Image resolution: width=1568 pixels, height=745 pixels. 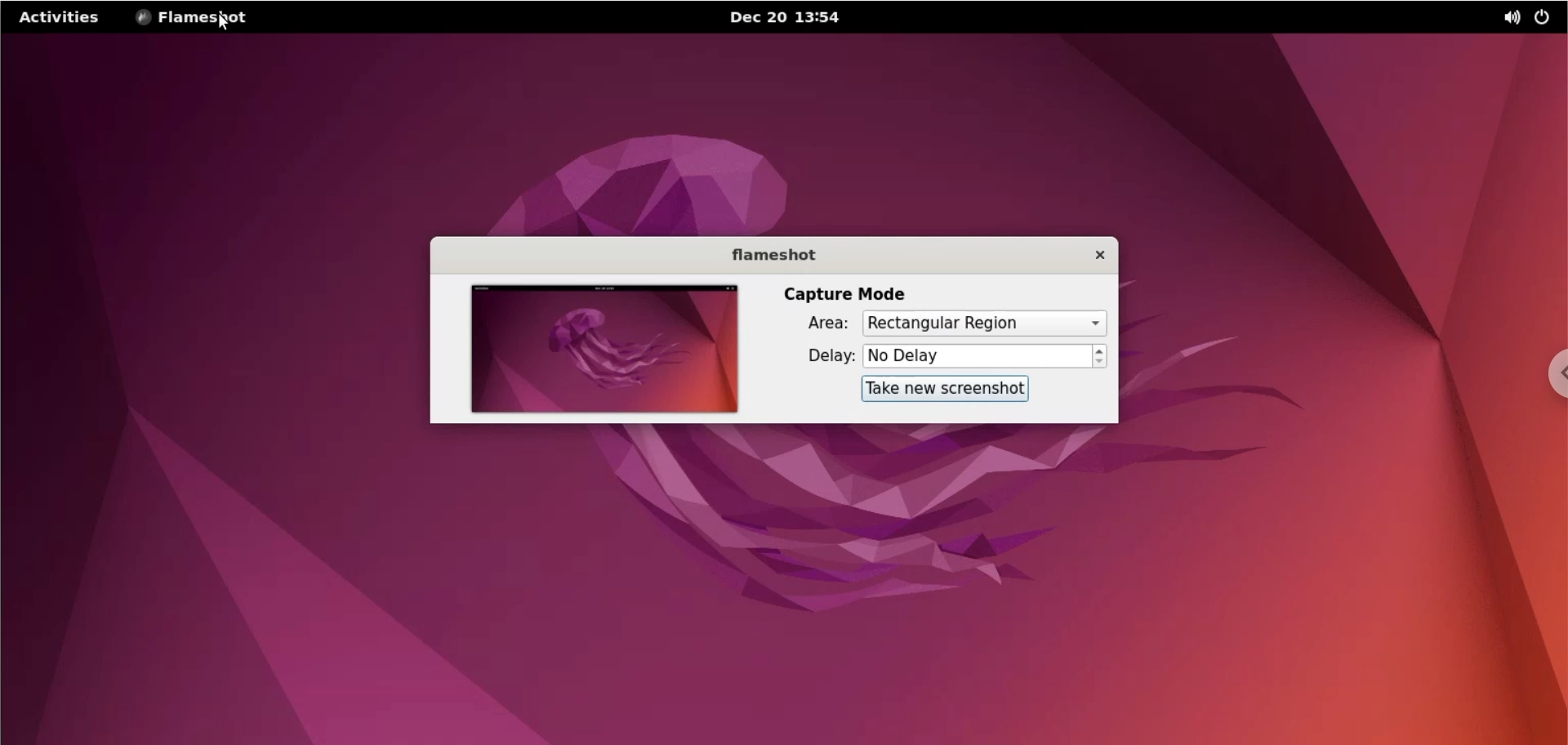 What do you see at coordinates (822, 322) in the screenshot?
I see `area:` at bounding box center [822, 322].